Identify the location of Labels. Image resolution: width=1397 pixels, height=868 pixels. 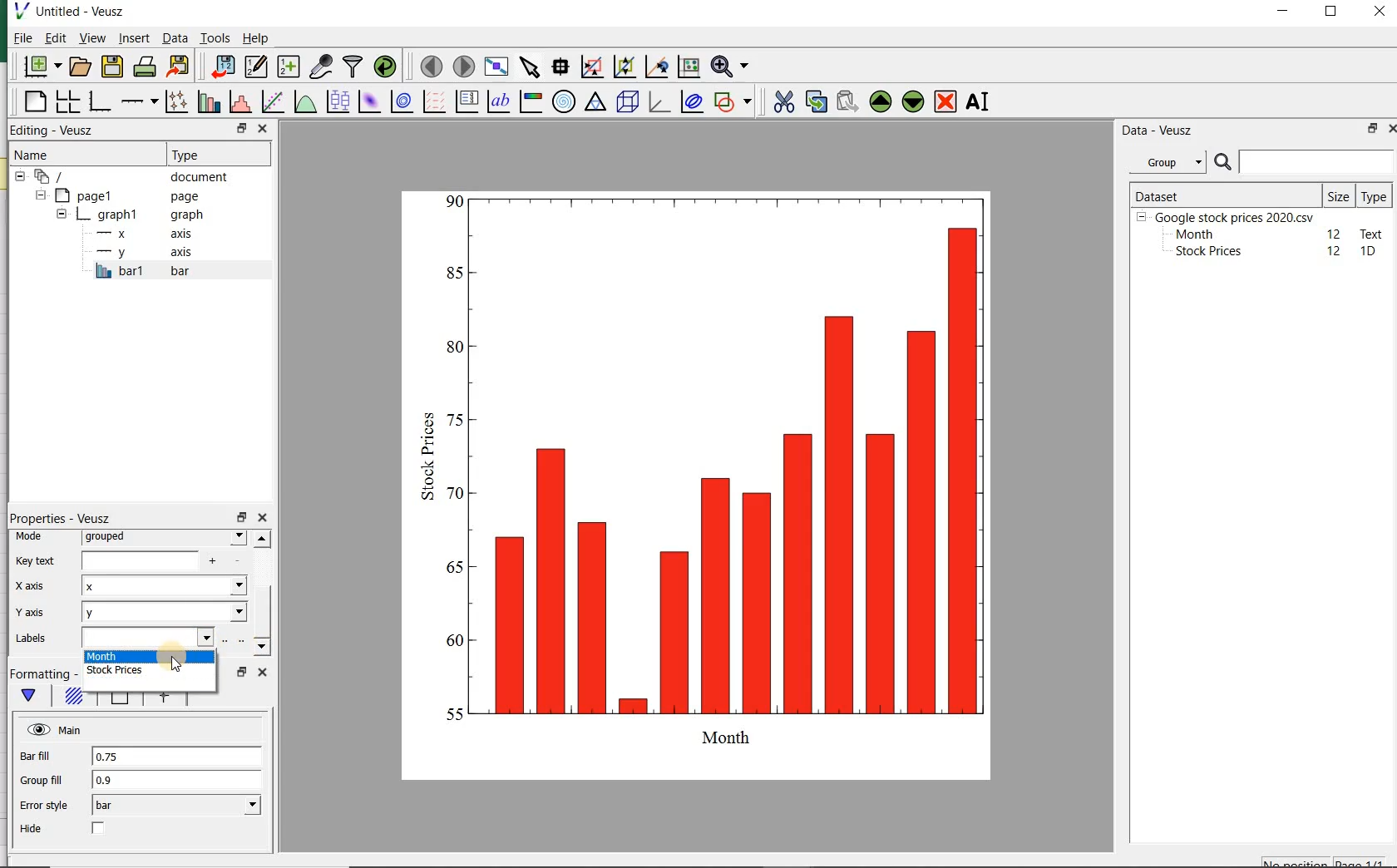
(29, 638).